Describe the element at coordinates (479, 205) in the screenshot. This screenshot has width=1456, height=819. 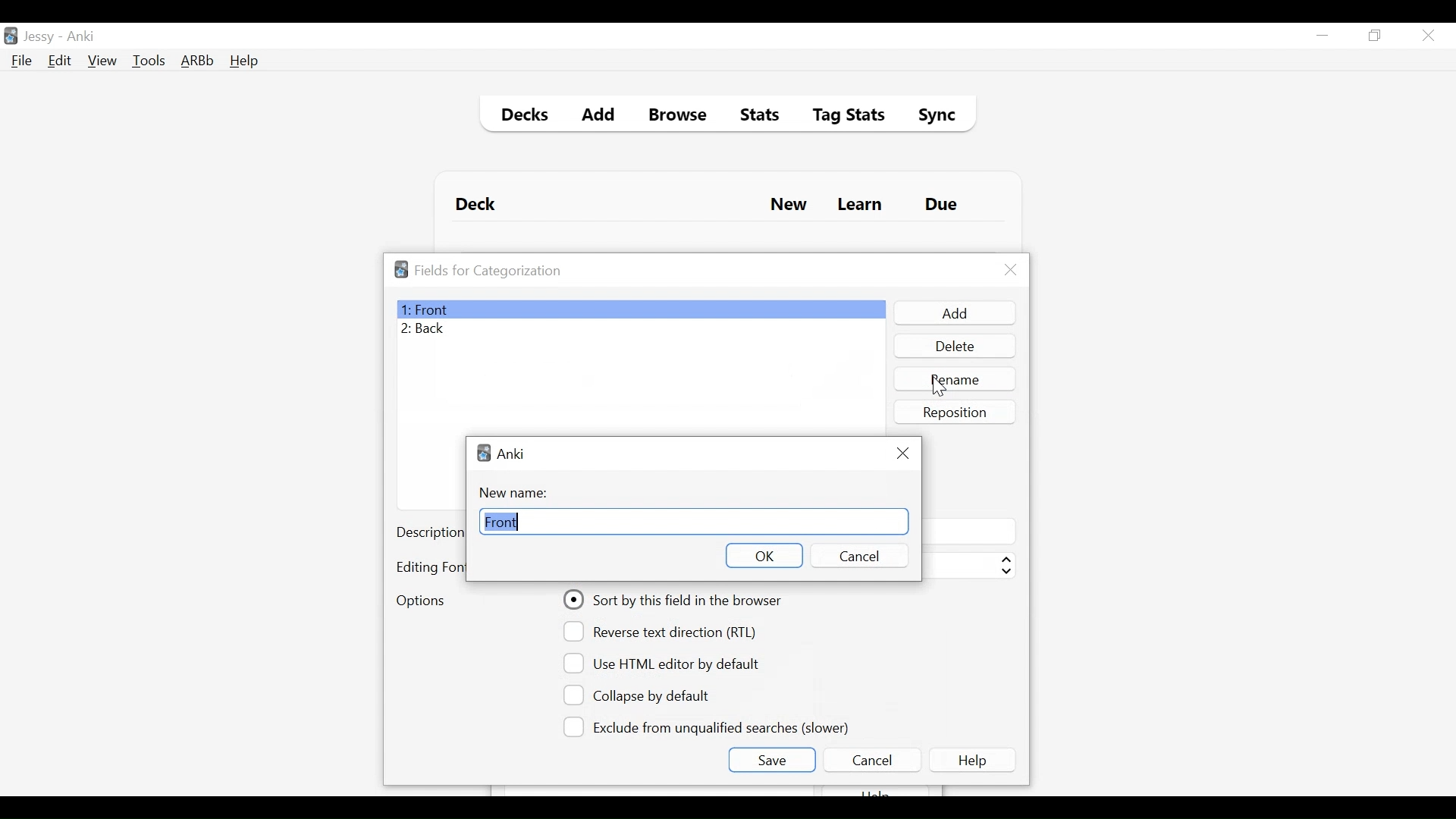
I see `Deck` at that location.